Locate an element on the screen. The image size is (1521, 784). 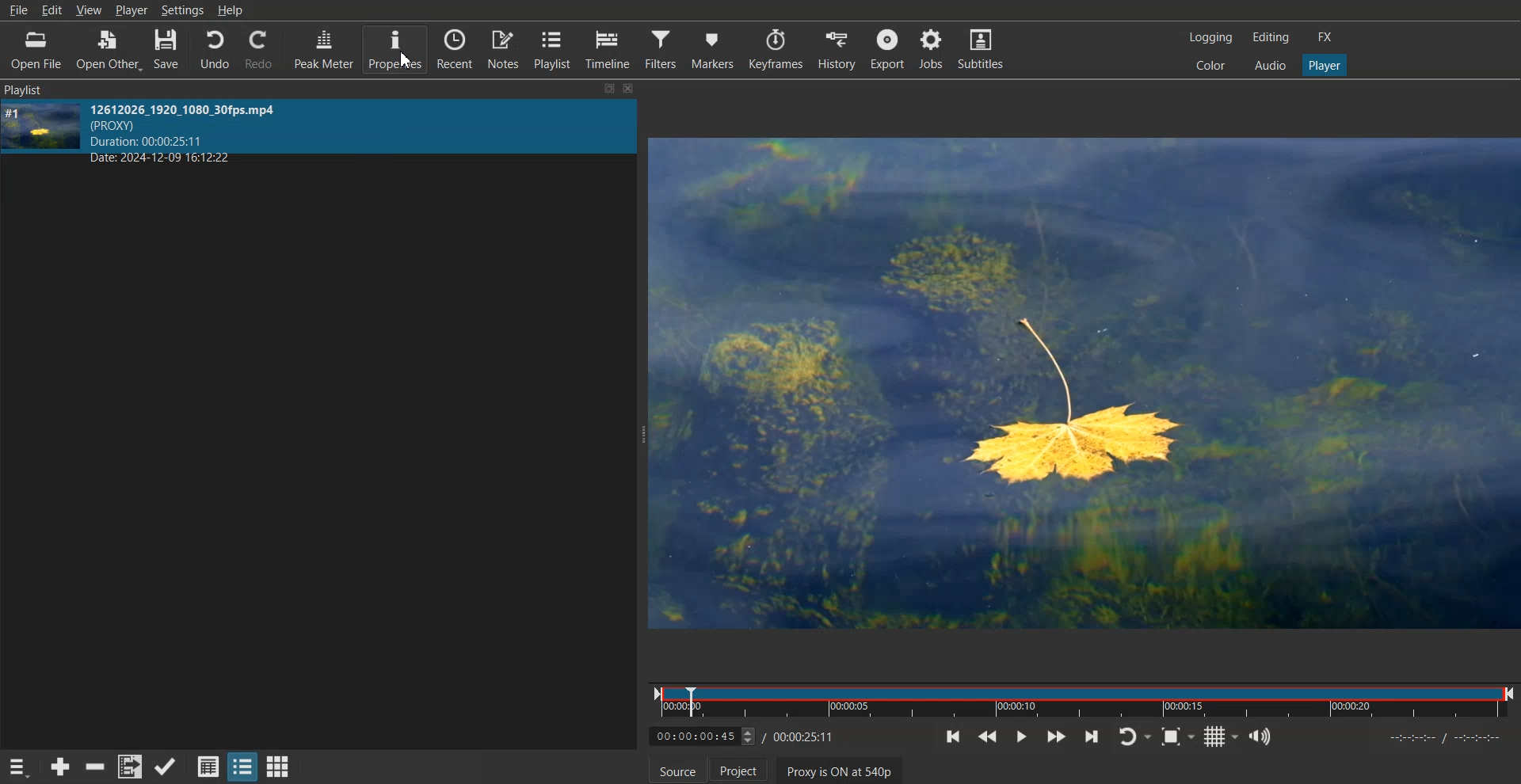
close is located at coordinates (631, 89).